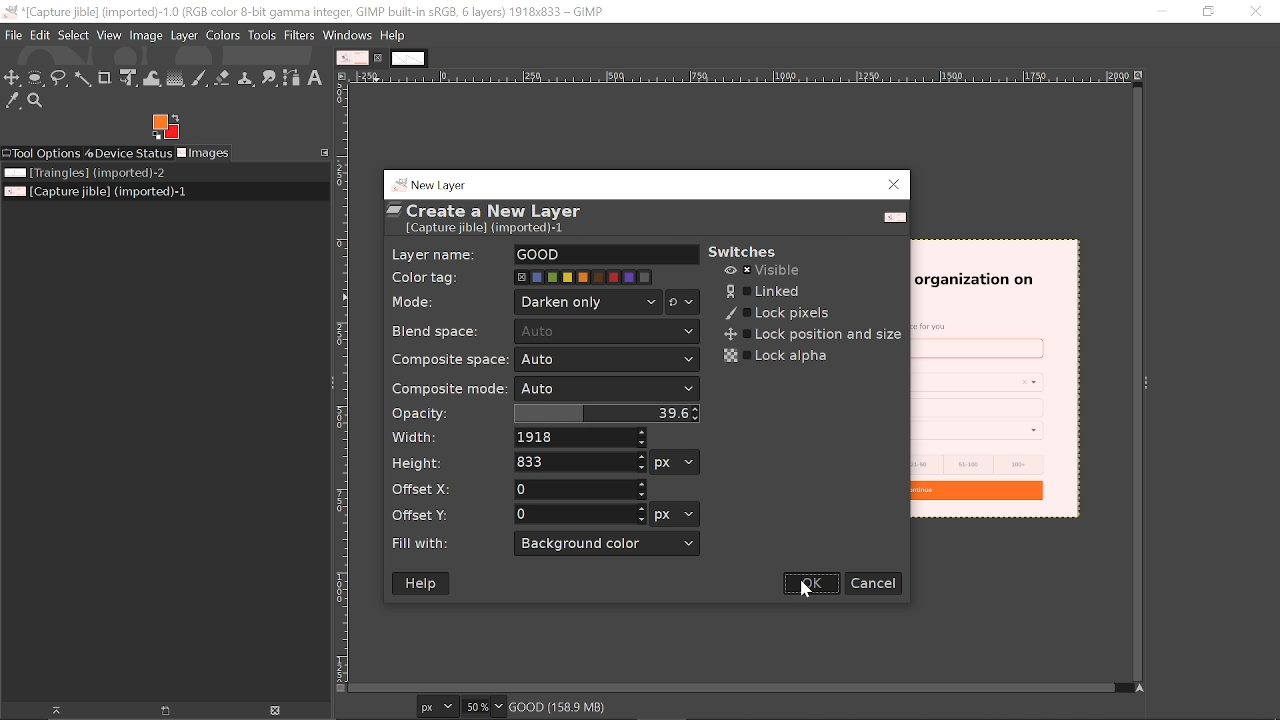  Describe the element at coordinates (275, 711) in the screenshot. I see `Delete image` at that location.